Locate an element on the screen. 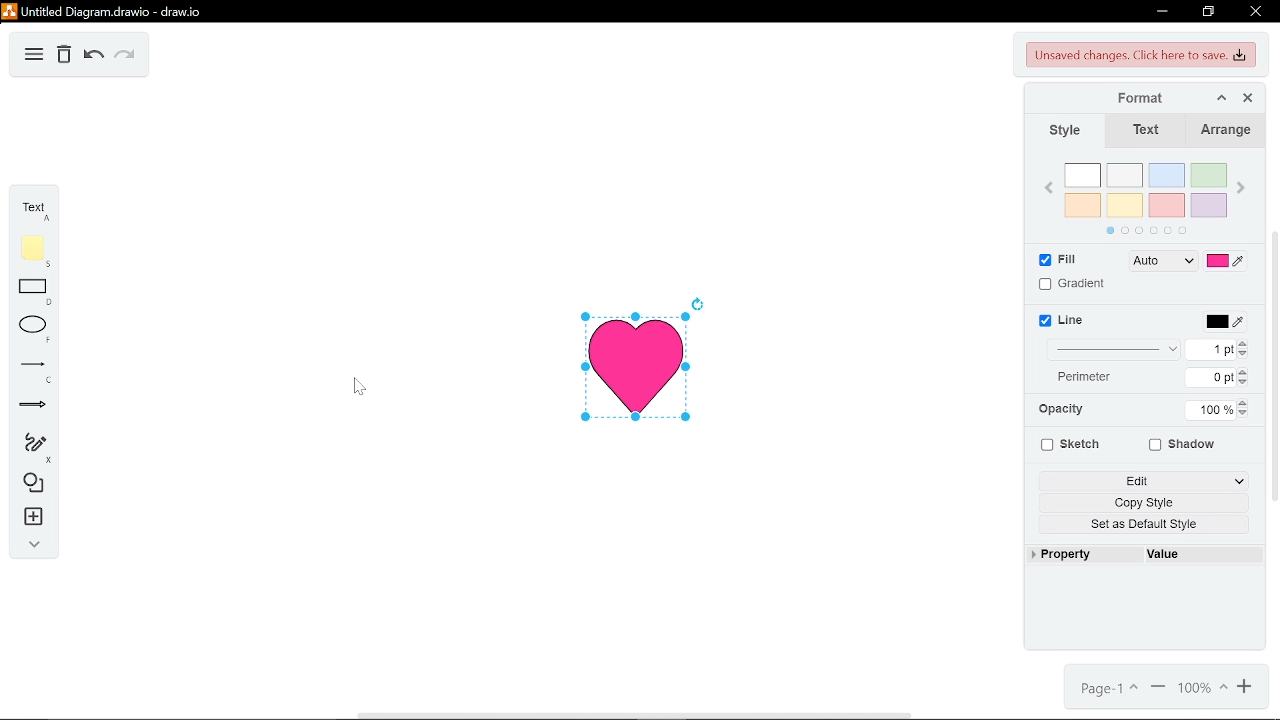  text is located at coordinates (31, 210).